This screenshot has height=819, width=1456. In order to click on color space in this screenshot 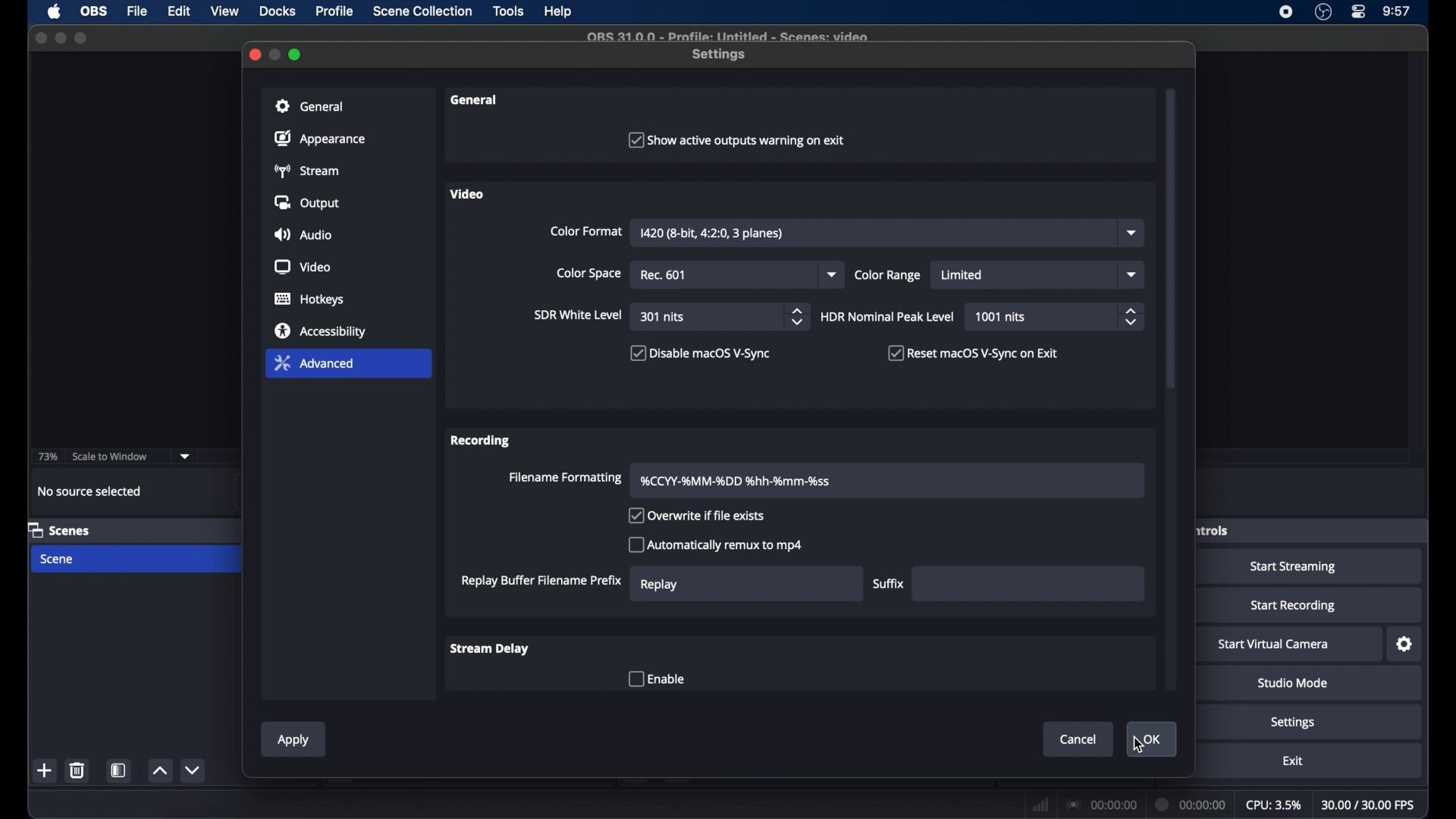, I will do `click(588, 273)`.